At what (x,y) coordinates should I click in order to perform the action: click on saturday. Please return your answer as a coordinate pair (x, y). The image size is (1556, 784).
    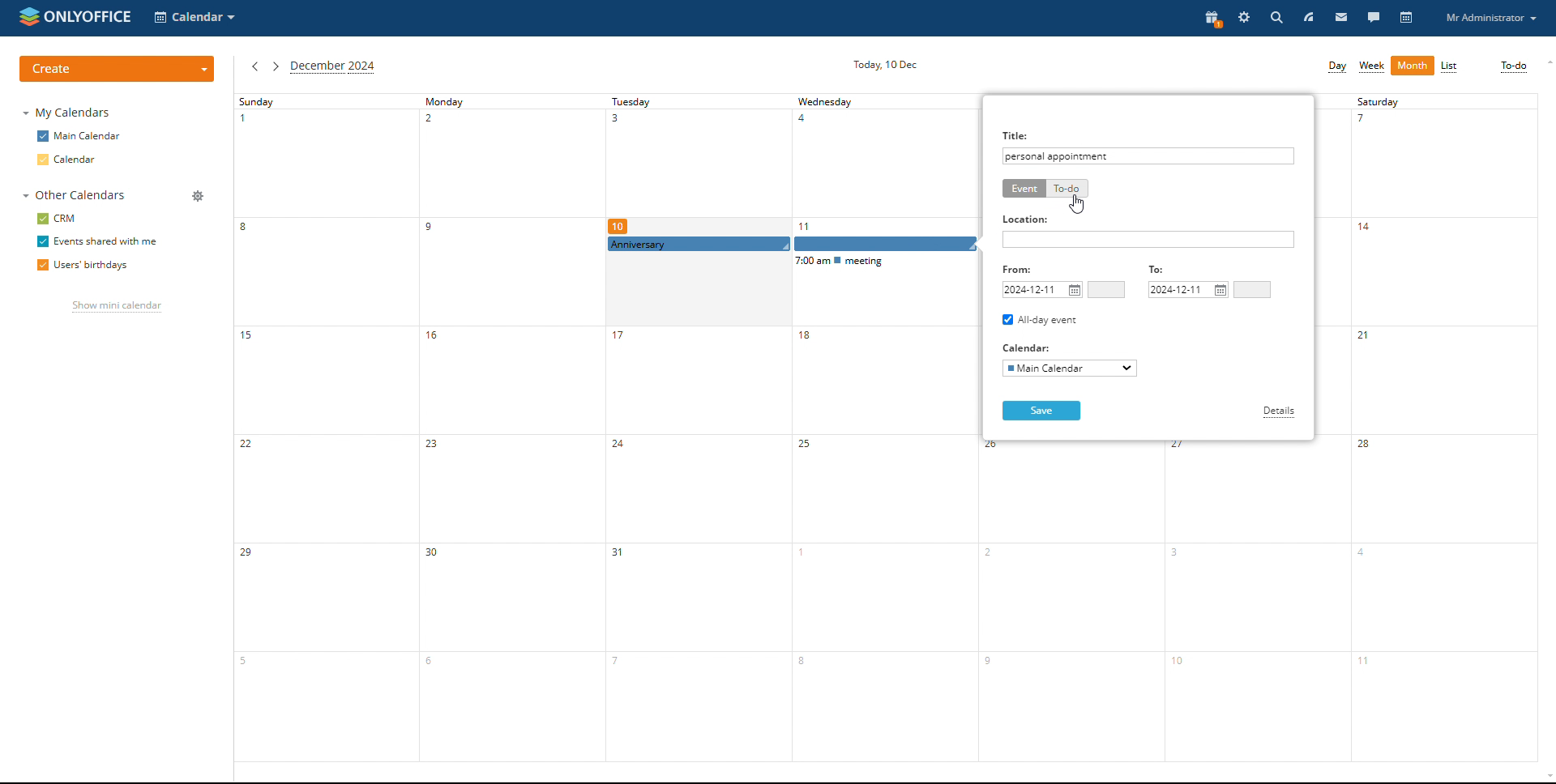
    Looking at the image, I should click on (1444, 428).